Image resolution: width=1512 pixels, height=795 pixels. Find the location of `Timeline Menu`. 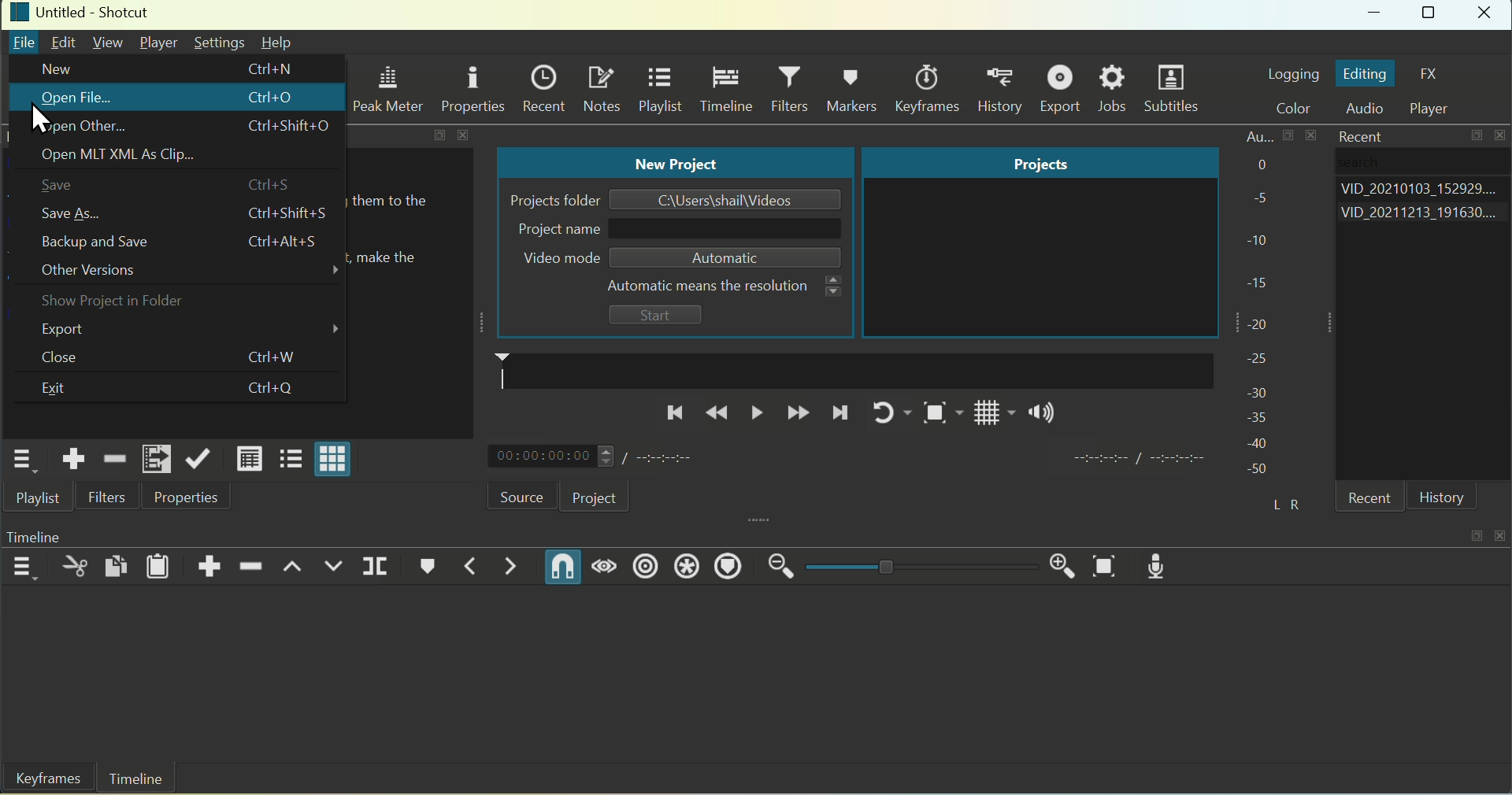

Timeline Menu is located at coordinates (24, 566).